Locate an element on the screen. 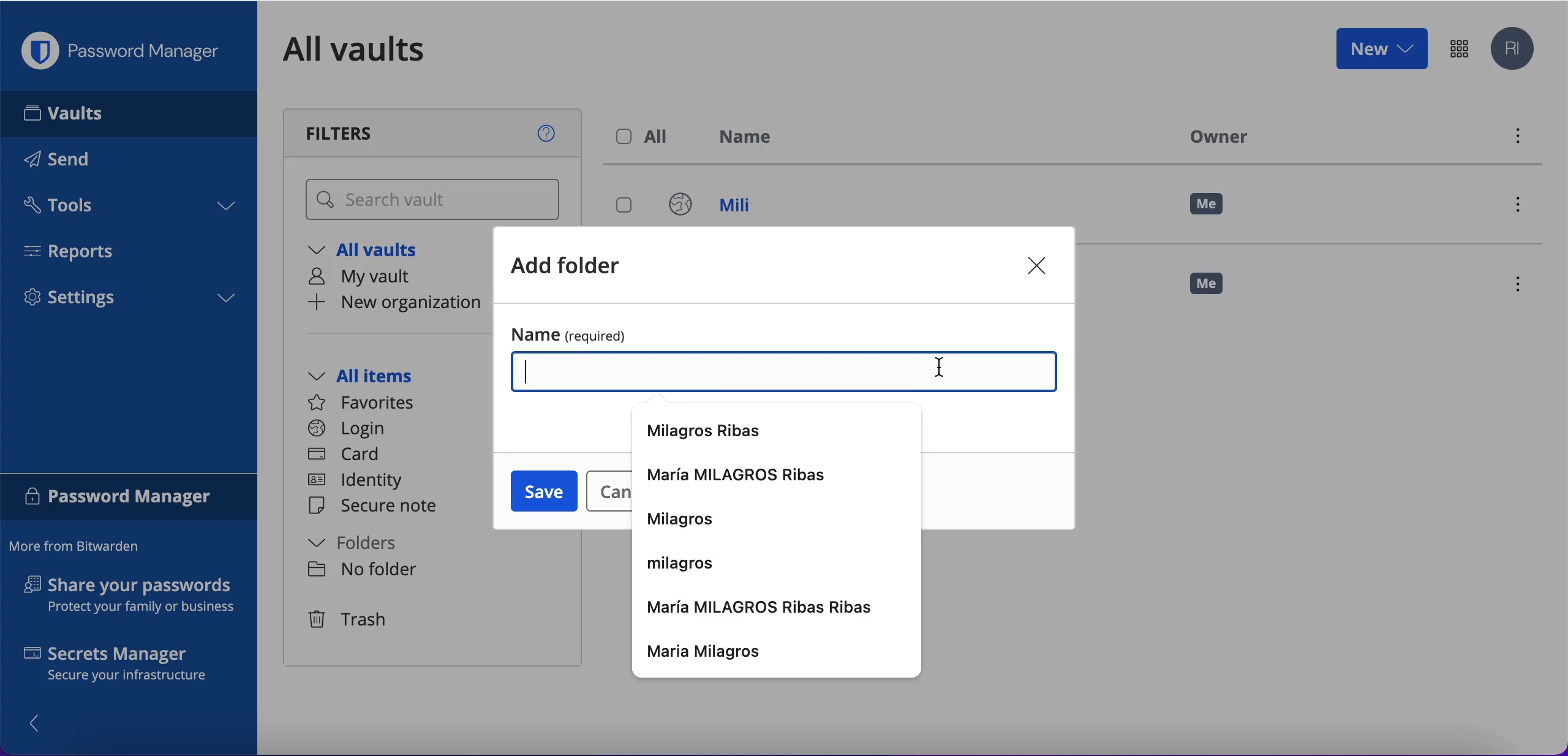  save is located at coordinates (541, 491).